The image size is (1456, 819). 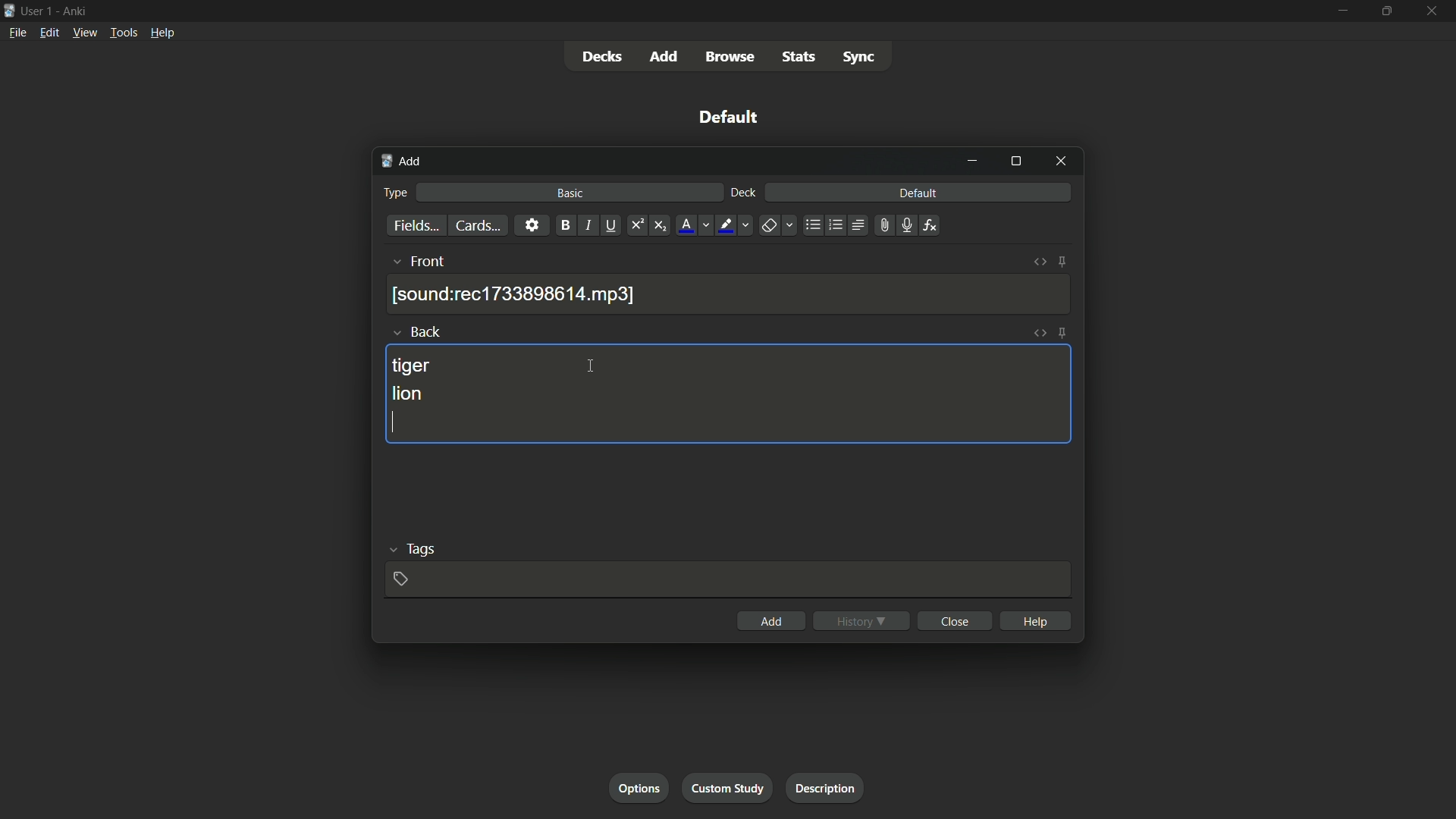 What do you see at coordinates (1341, 11) in the screenshot?
I see `minimize` at bounding box center [1341, 11].